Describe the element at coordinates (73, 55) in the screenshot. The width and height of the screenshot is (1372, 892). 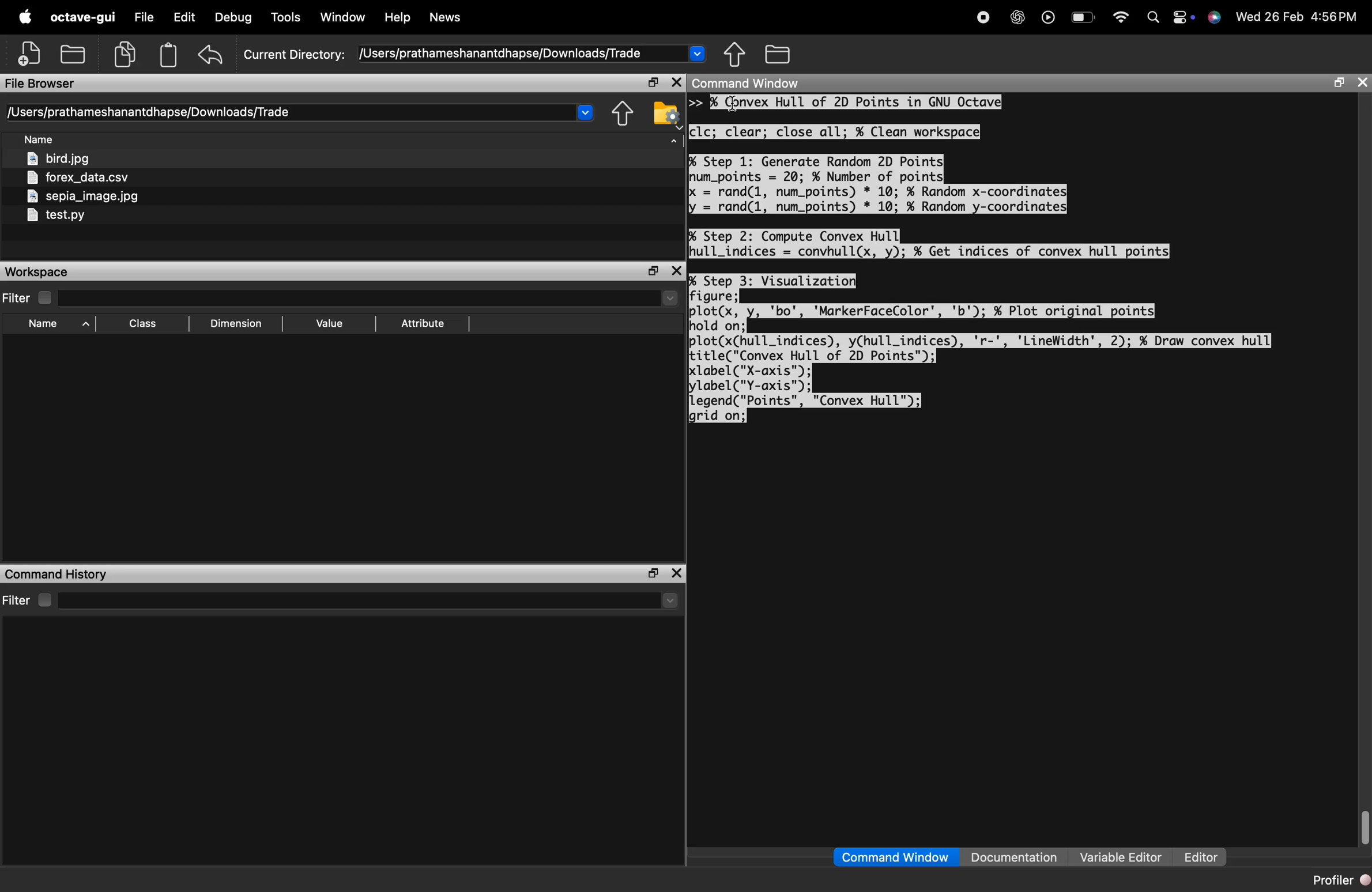
I see `open folder ` at that location.